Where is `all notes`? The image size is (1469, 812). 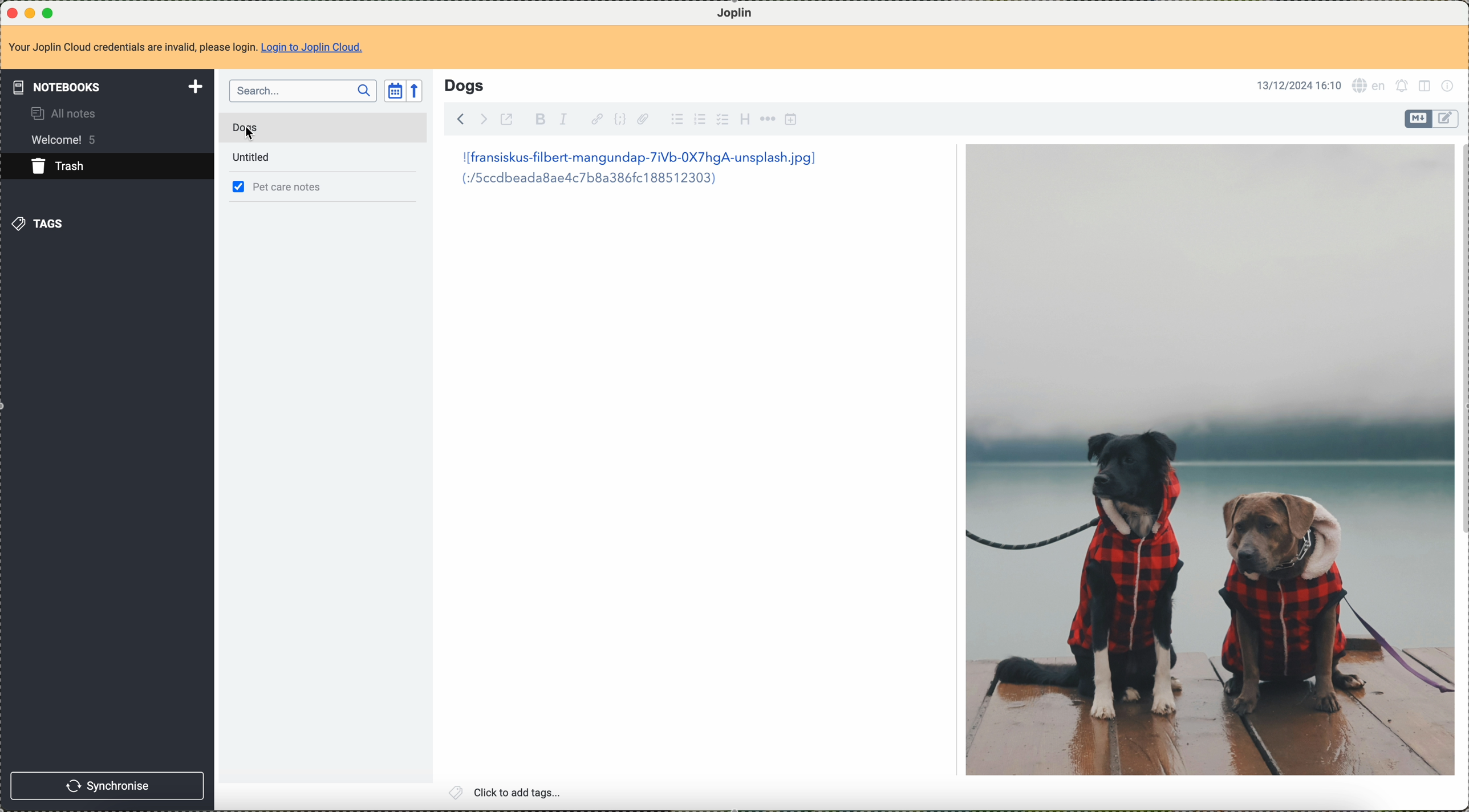 all notes is located at coordinates (66, 113).